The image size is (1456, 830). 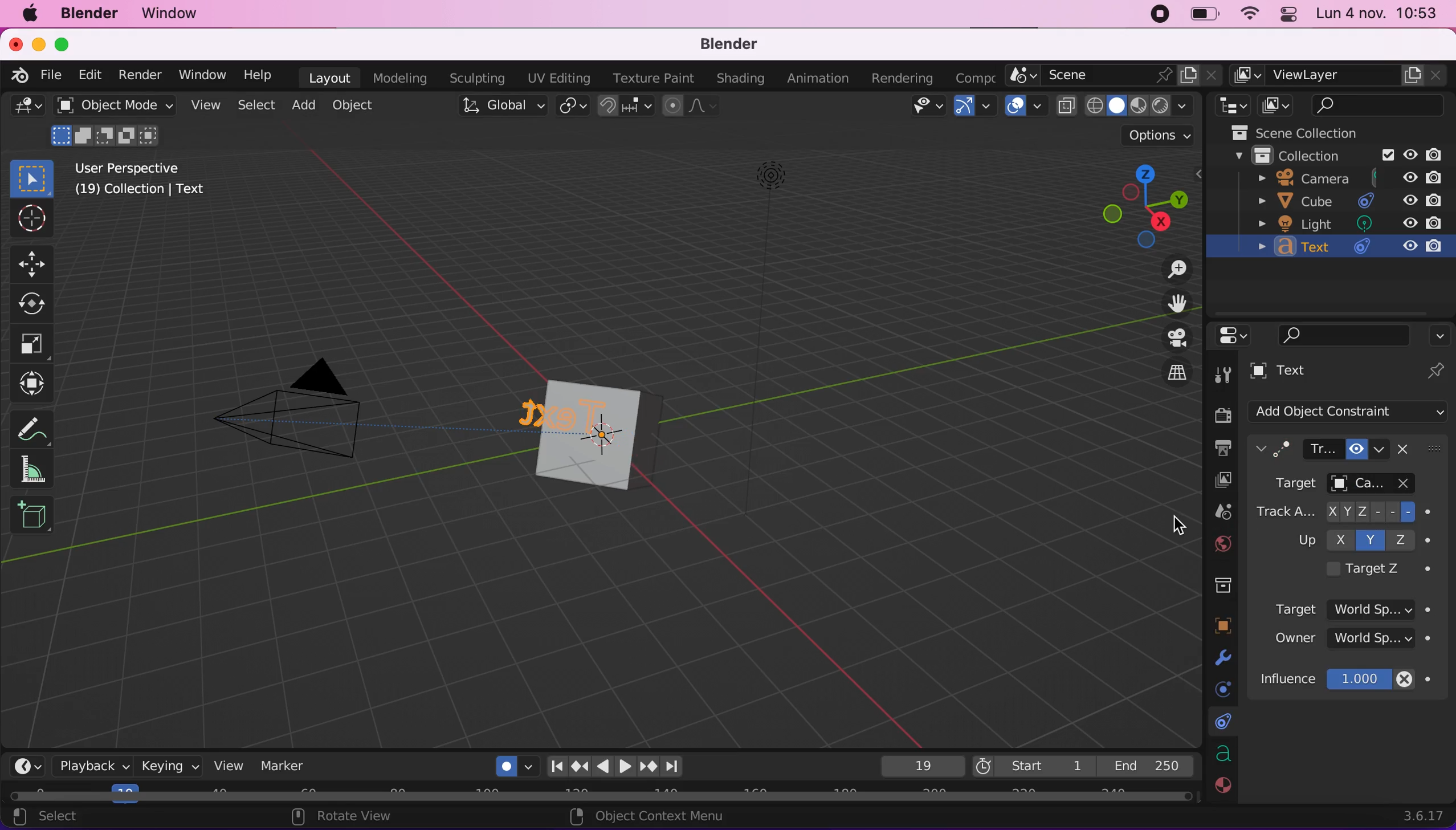 I want to click on transform pivot point, so click(x=572, y=106).